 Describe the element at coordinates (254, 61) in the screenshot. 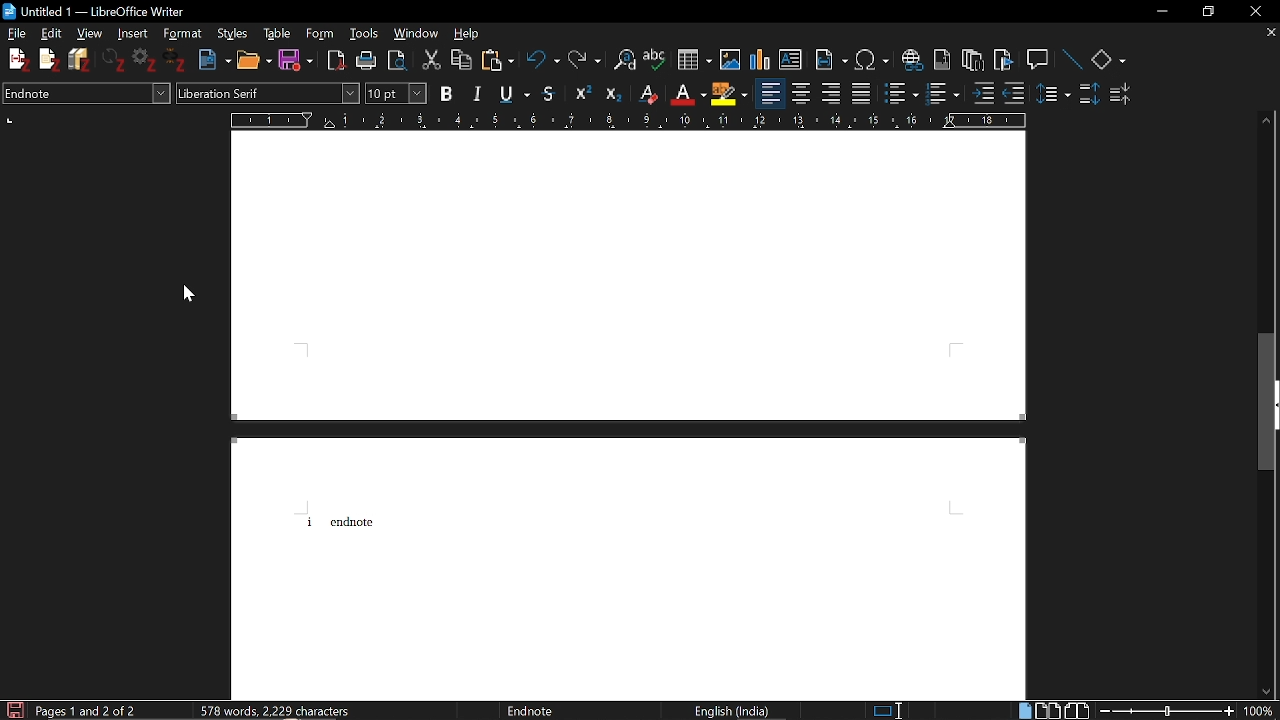

I see `Open` at that location.